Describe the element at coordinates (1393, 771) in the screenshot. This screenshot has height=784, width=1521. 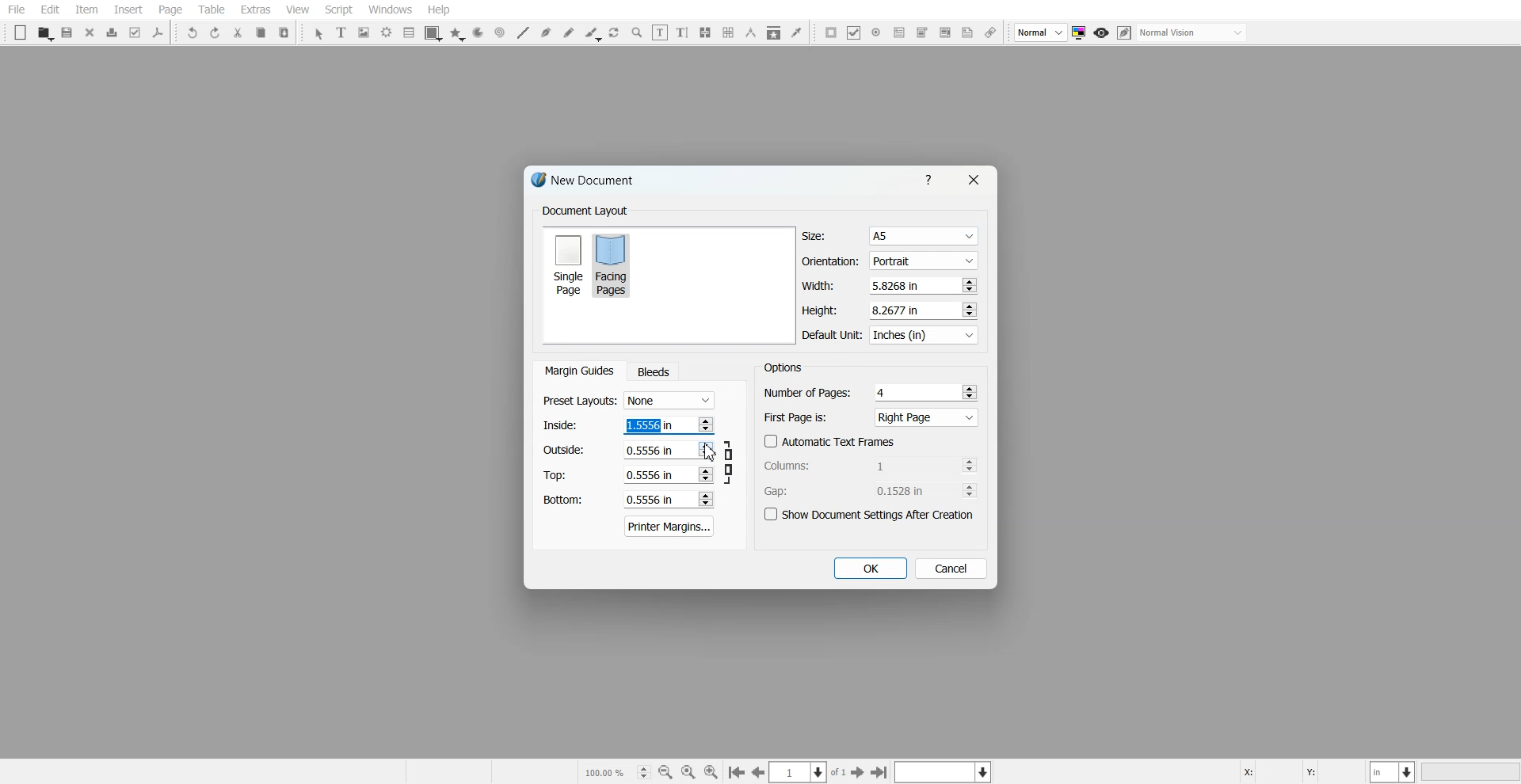
I see `Measurement in Inches` at that location.